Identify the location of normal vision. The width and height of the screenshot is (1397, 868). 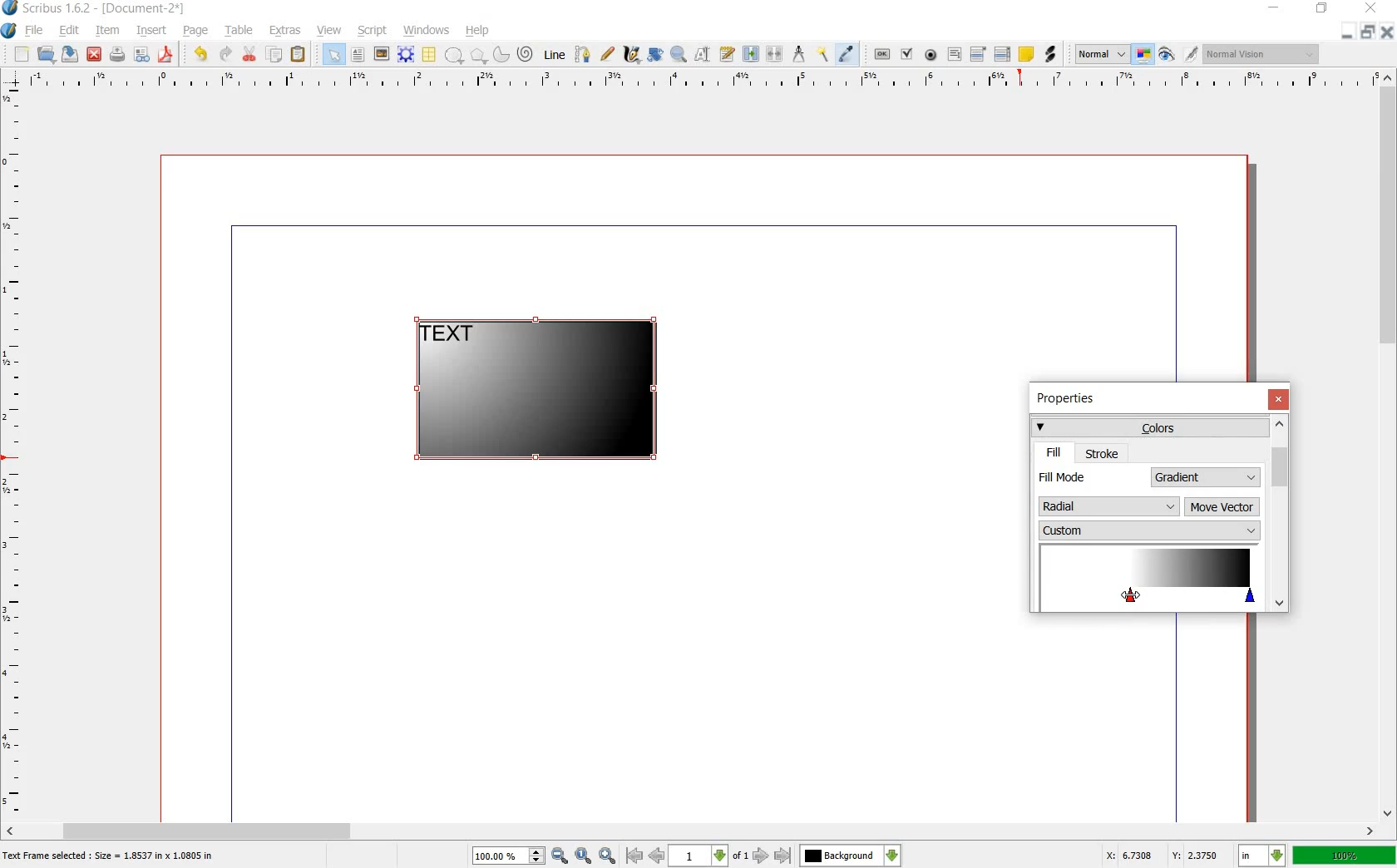
(1264, 53).